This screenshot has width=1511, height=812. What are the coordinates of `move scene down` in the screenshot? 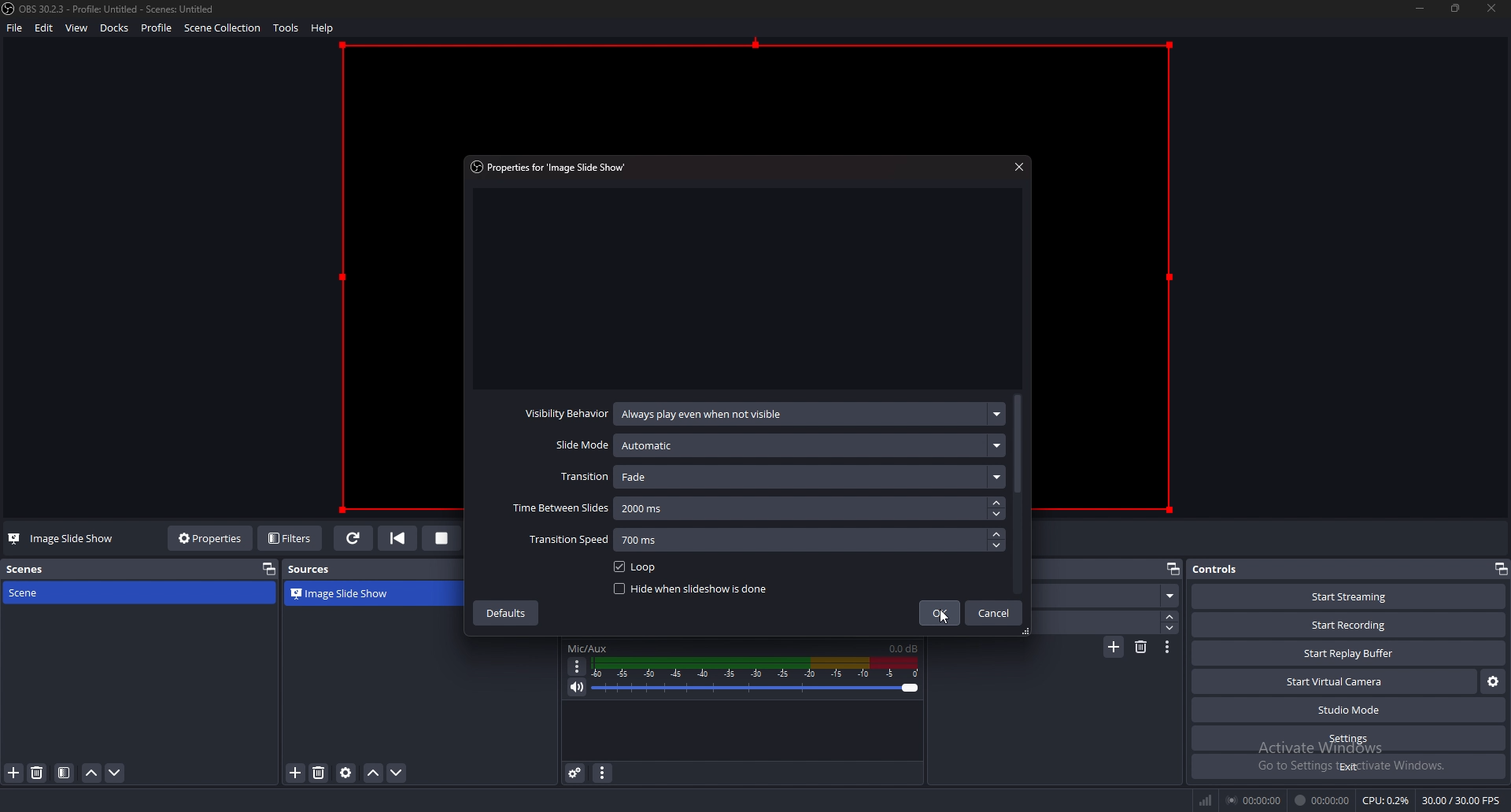 It's located at (115, 773).